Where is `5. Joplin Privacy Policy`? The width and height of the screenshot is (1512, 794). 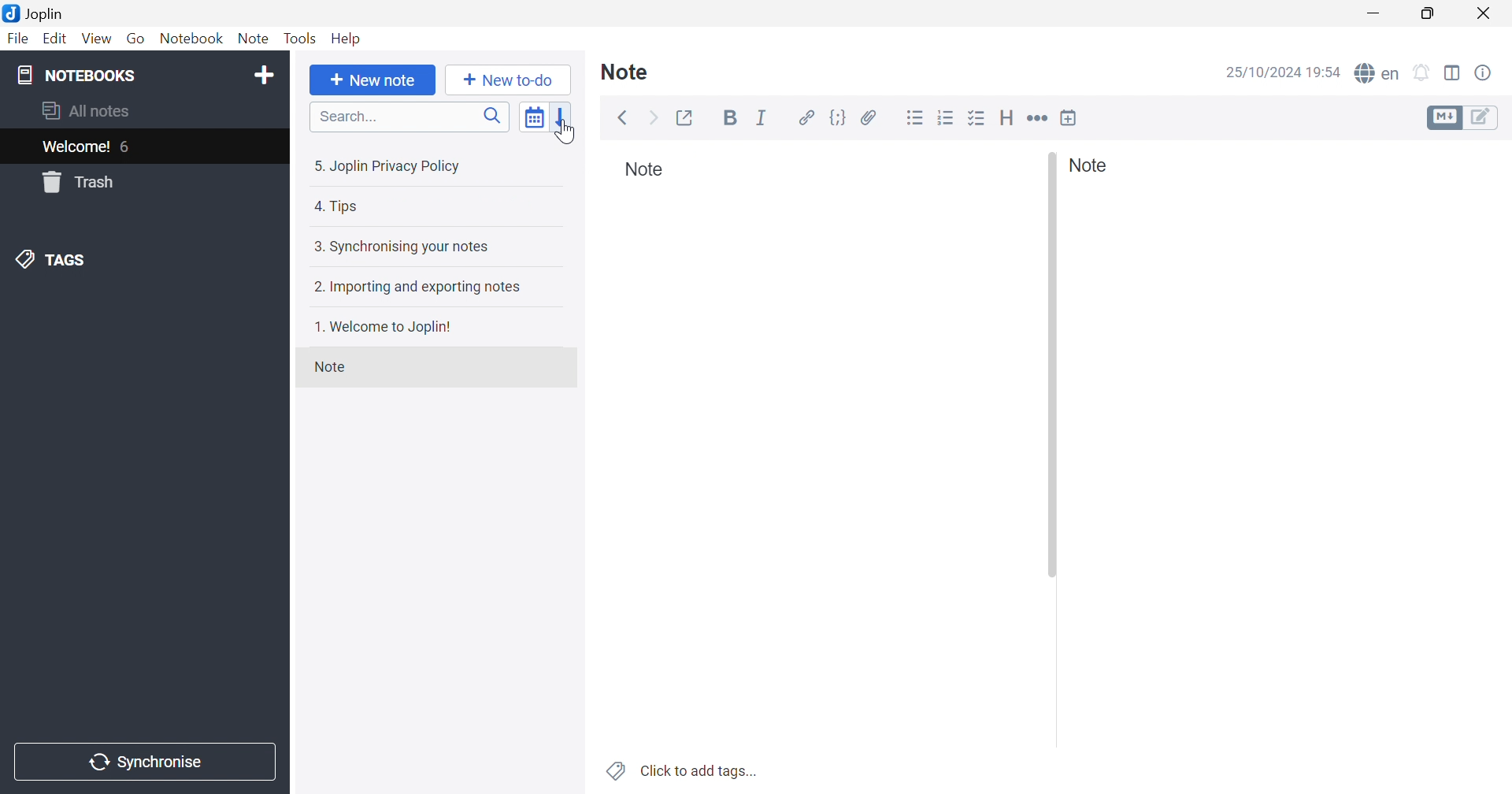 5. Joplin Privacy Policy is located at coordinates (390, 169).